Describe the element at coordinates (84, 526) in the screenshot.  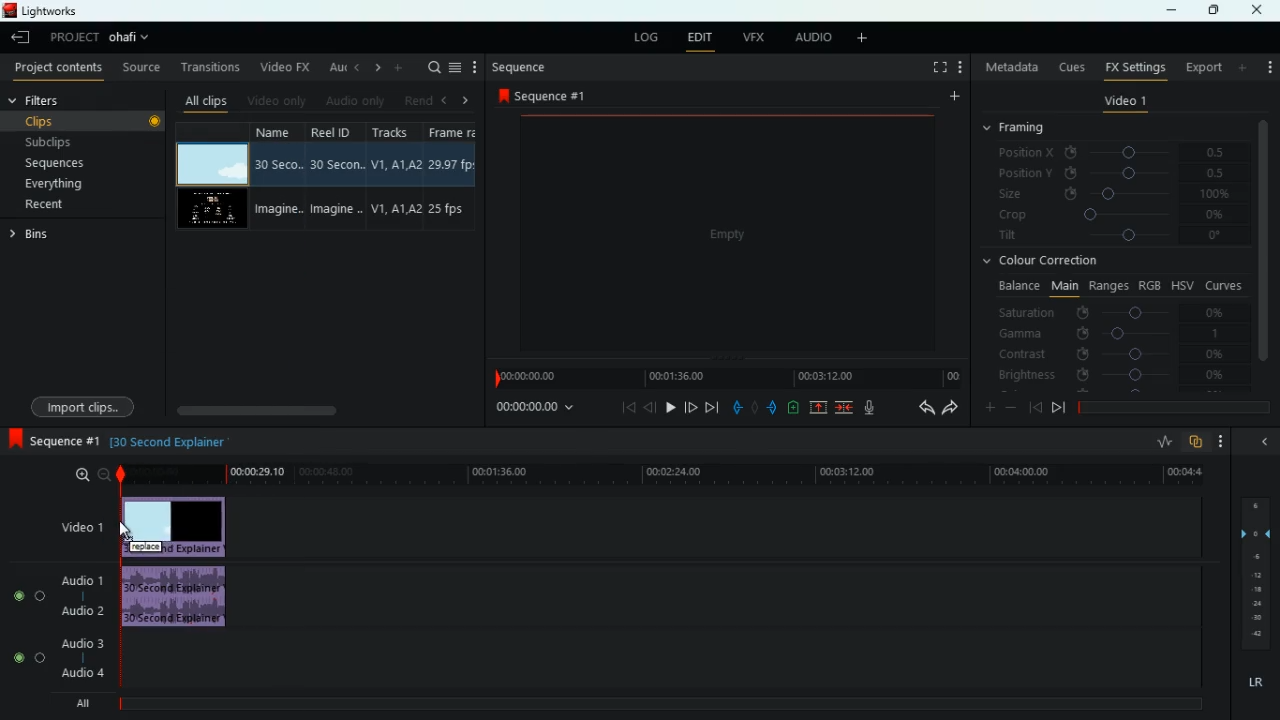
I see `video 1` at that location.